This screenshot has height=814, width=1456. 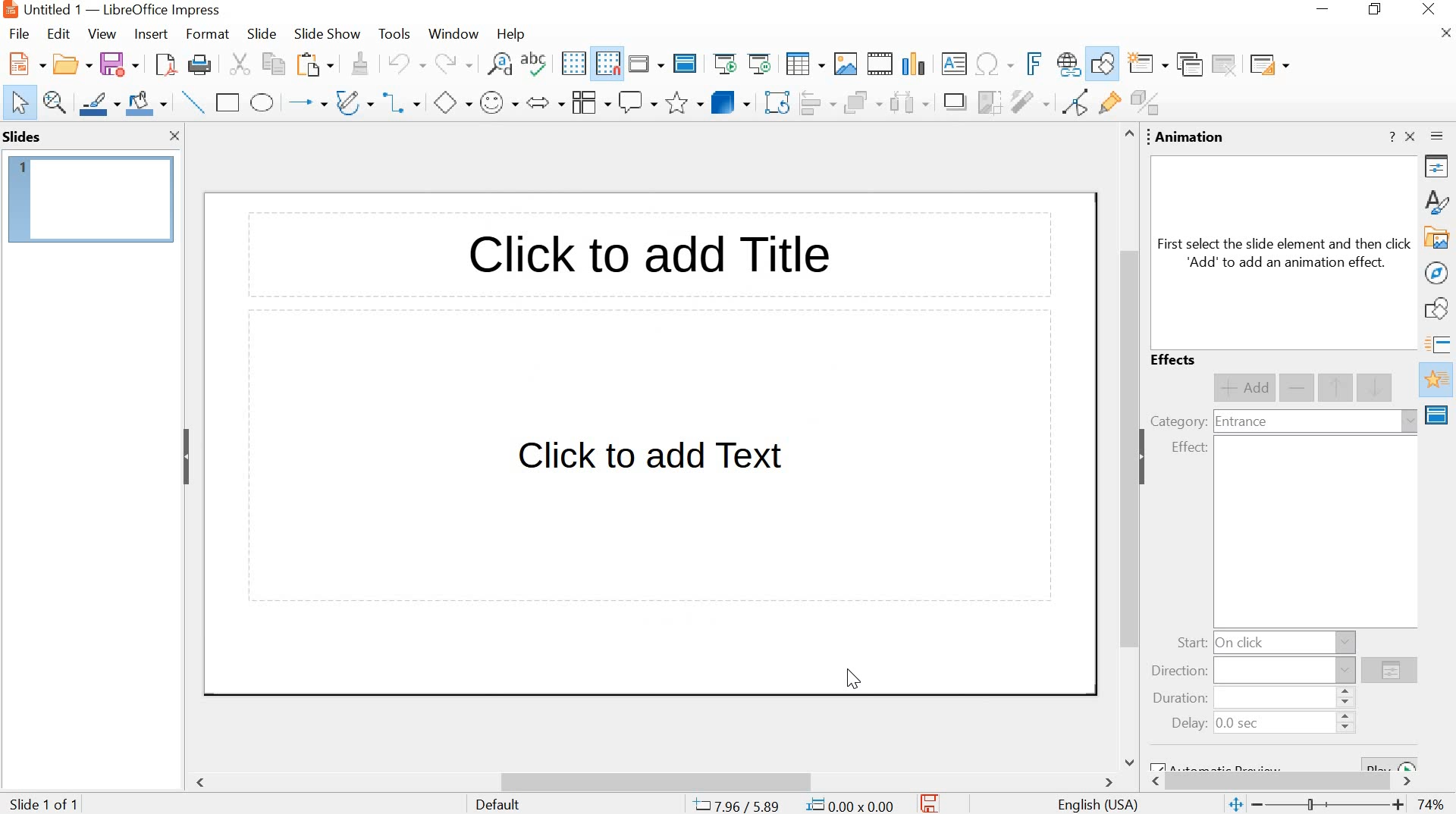 I want to click on insert fontwork text, so click(x=1031, y=63).